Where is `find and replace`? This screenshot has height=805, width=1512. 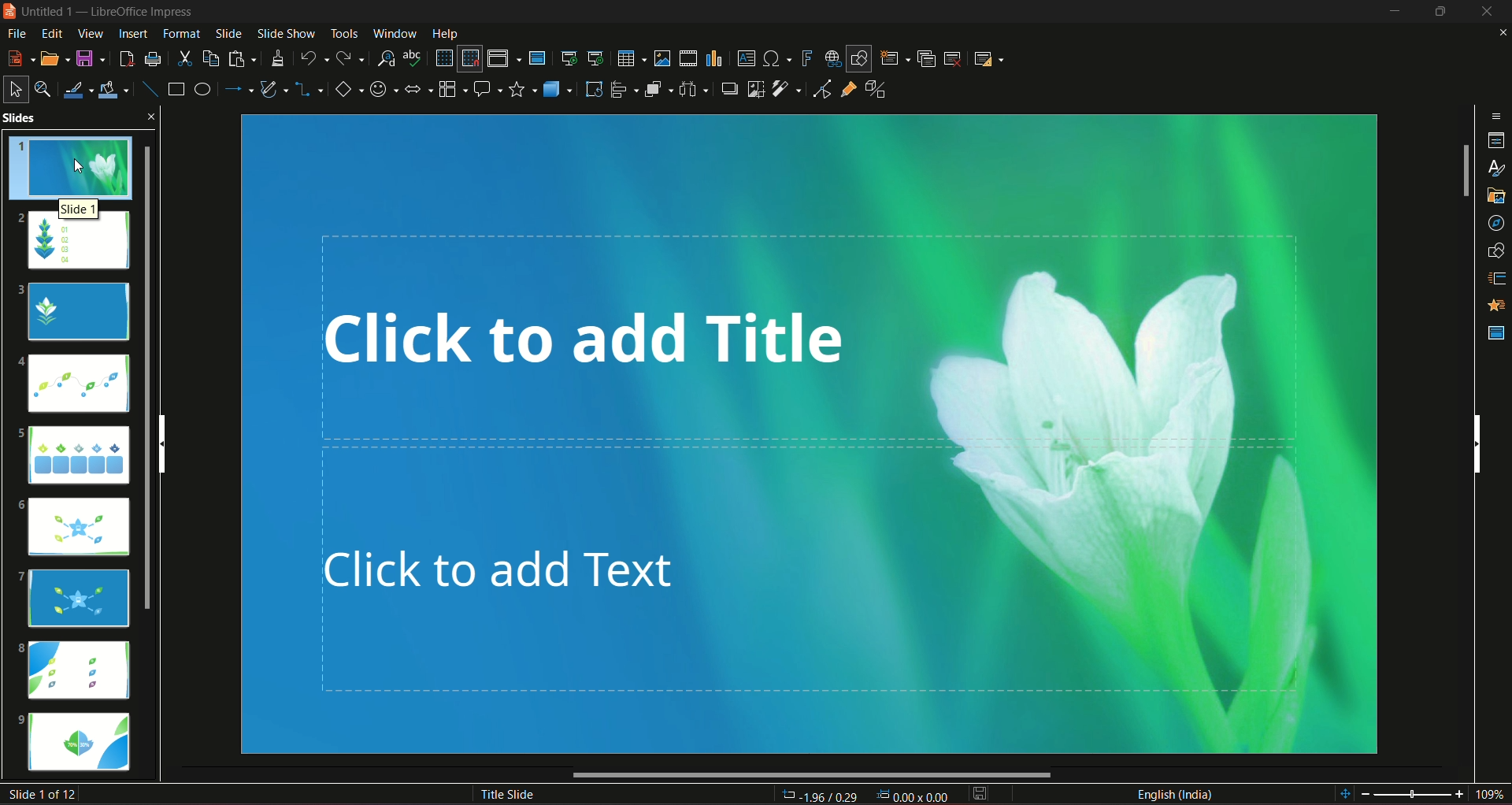
find and replace is located at coordinates (386, 57).